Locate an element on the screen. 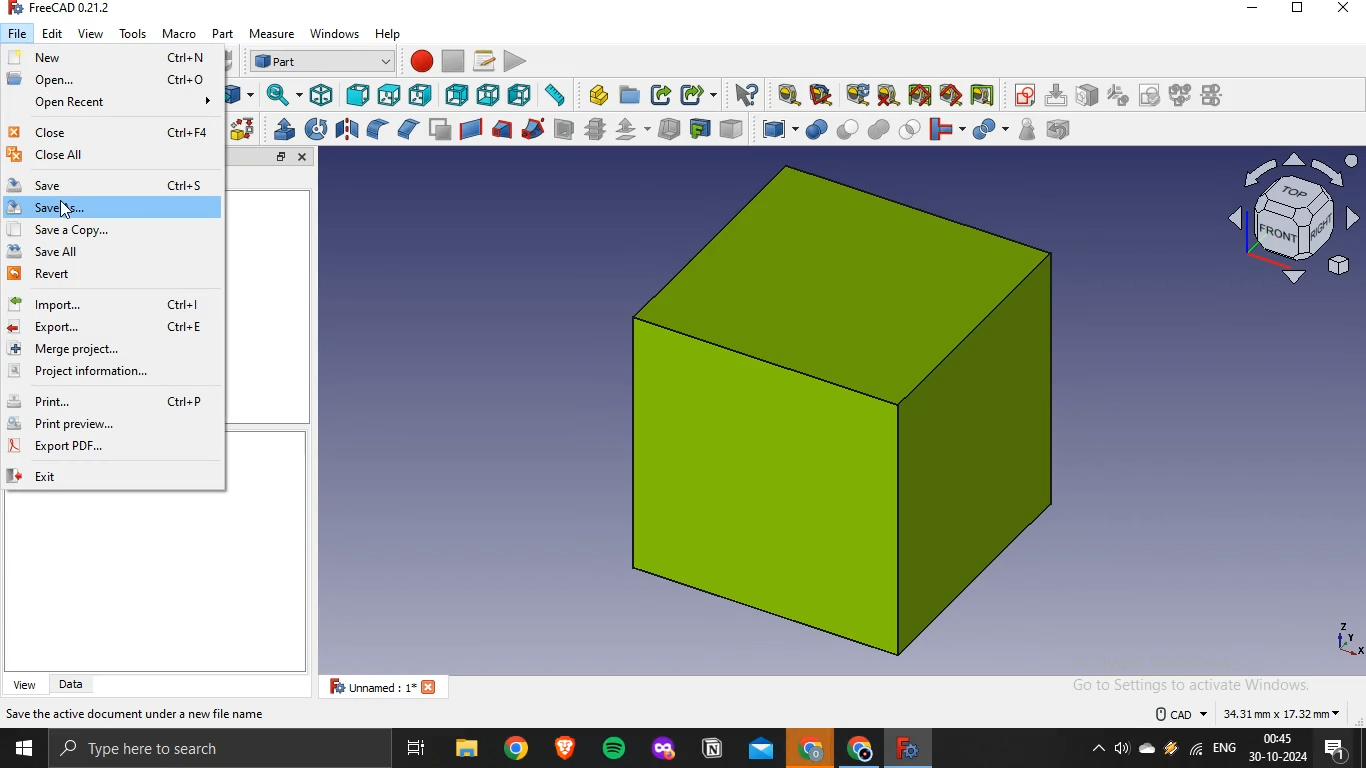 The width and height of the screenshot is (1366, 768). measure angular is located at coordinates (822, 95).